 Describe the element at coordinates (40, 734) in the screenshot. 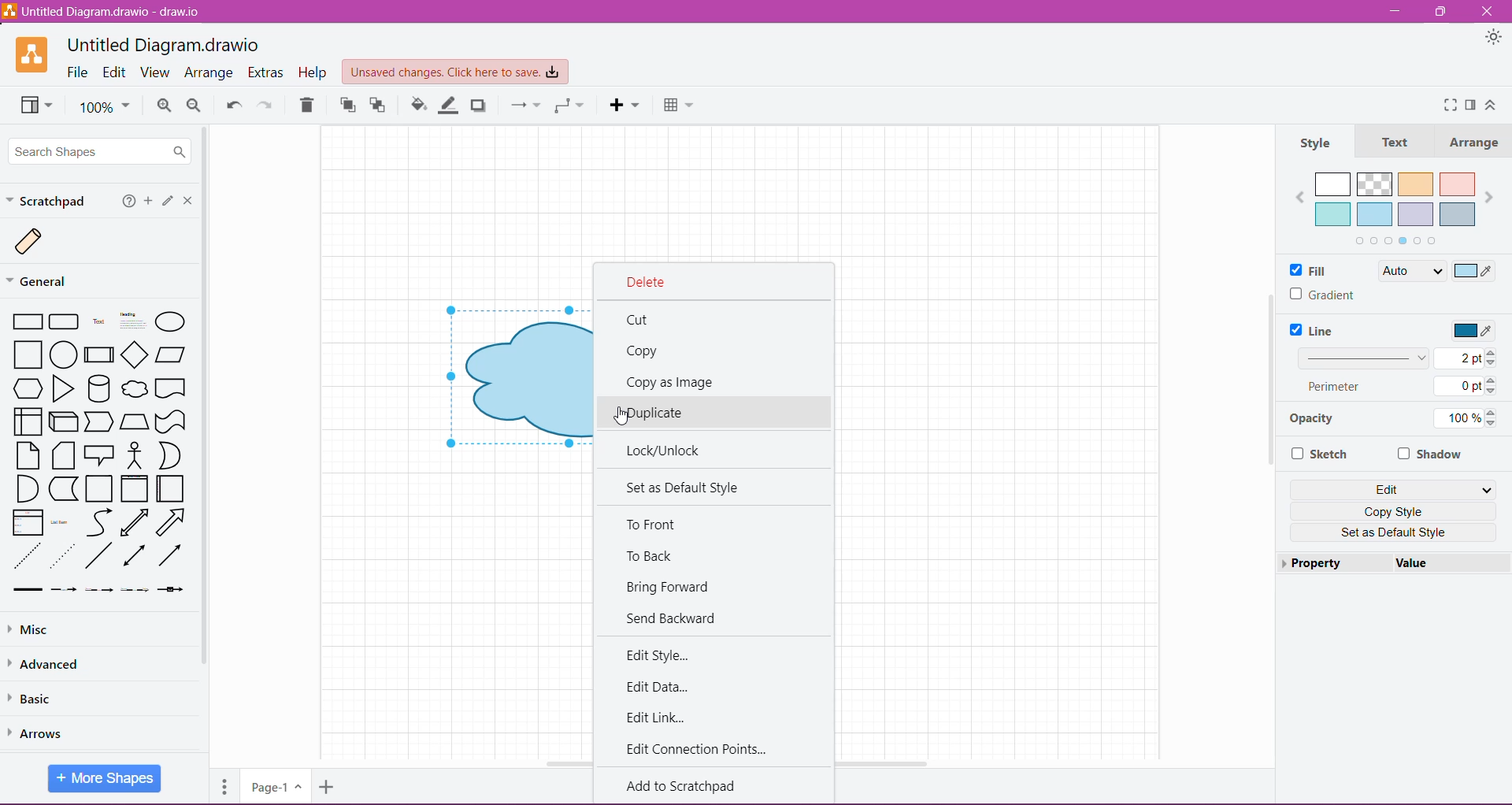

I see `Arrows` at that location.